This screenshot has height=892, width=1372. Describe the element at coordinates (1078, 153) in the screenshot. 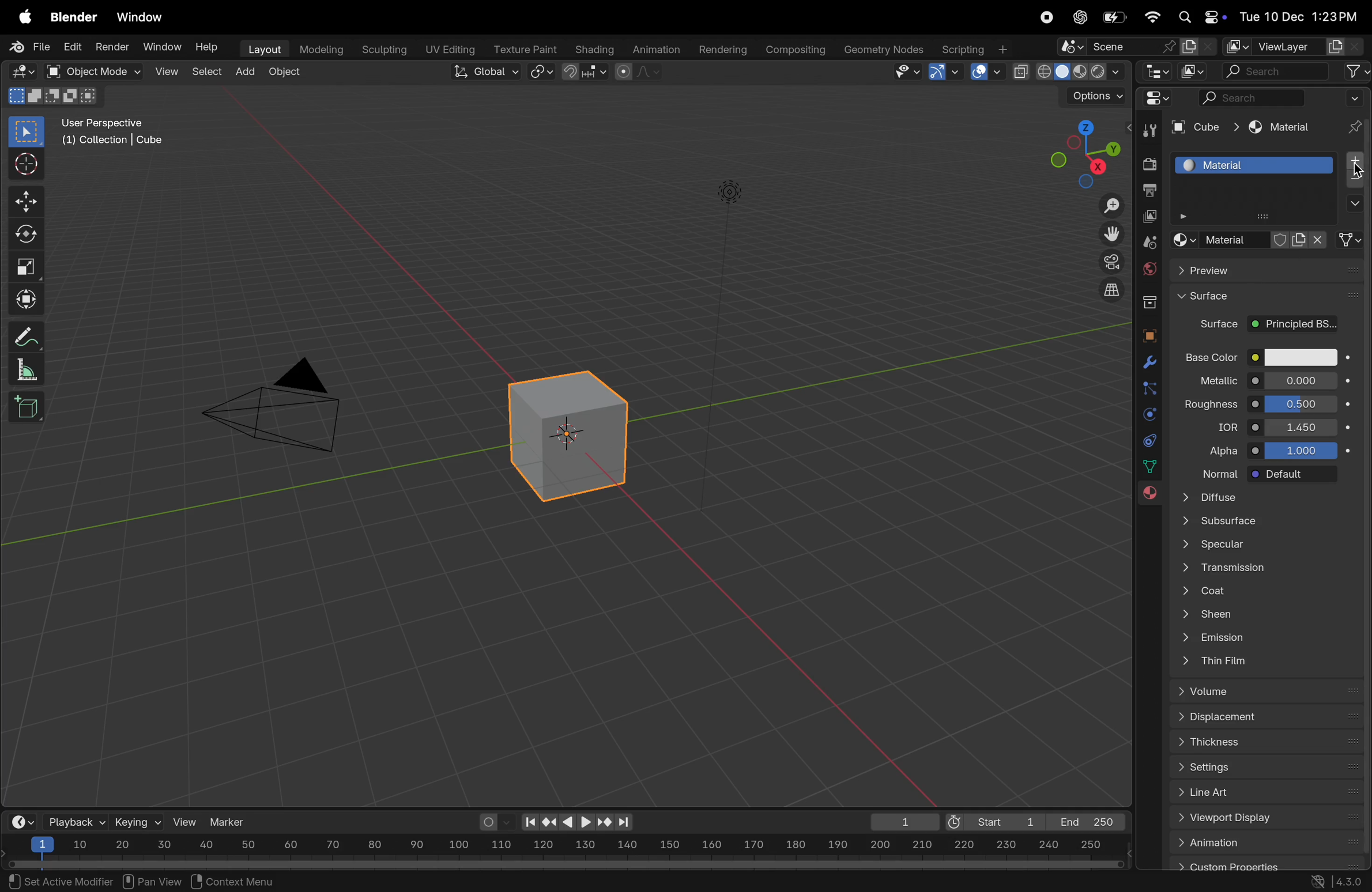

I see `view point` at that location.